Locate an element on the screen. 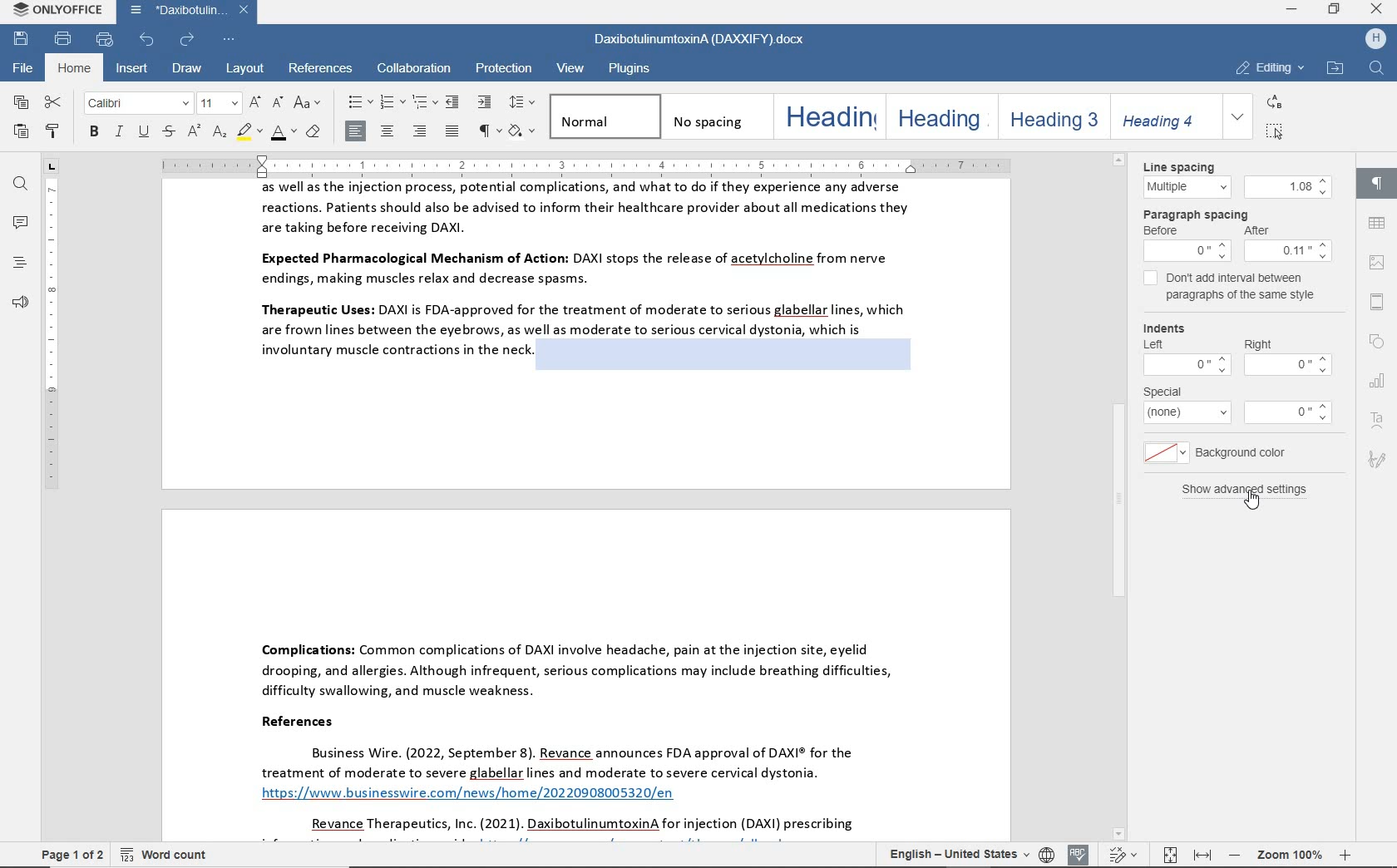  highlighted is located at coordinates (723, 355).